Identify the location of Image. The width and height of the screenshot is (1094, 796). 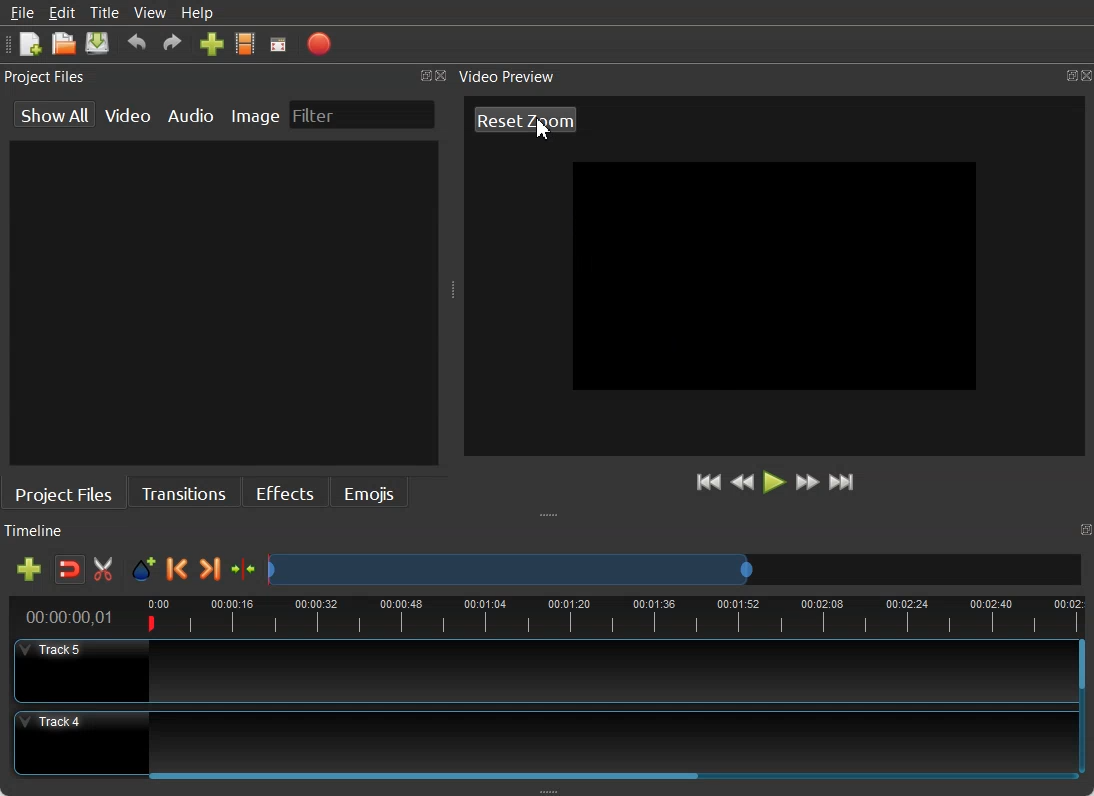
(256, 117).